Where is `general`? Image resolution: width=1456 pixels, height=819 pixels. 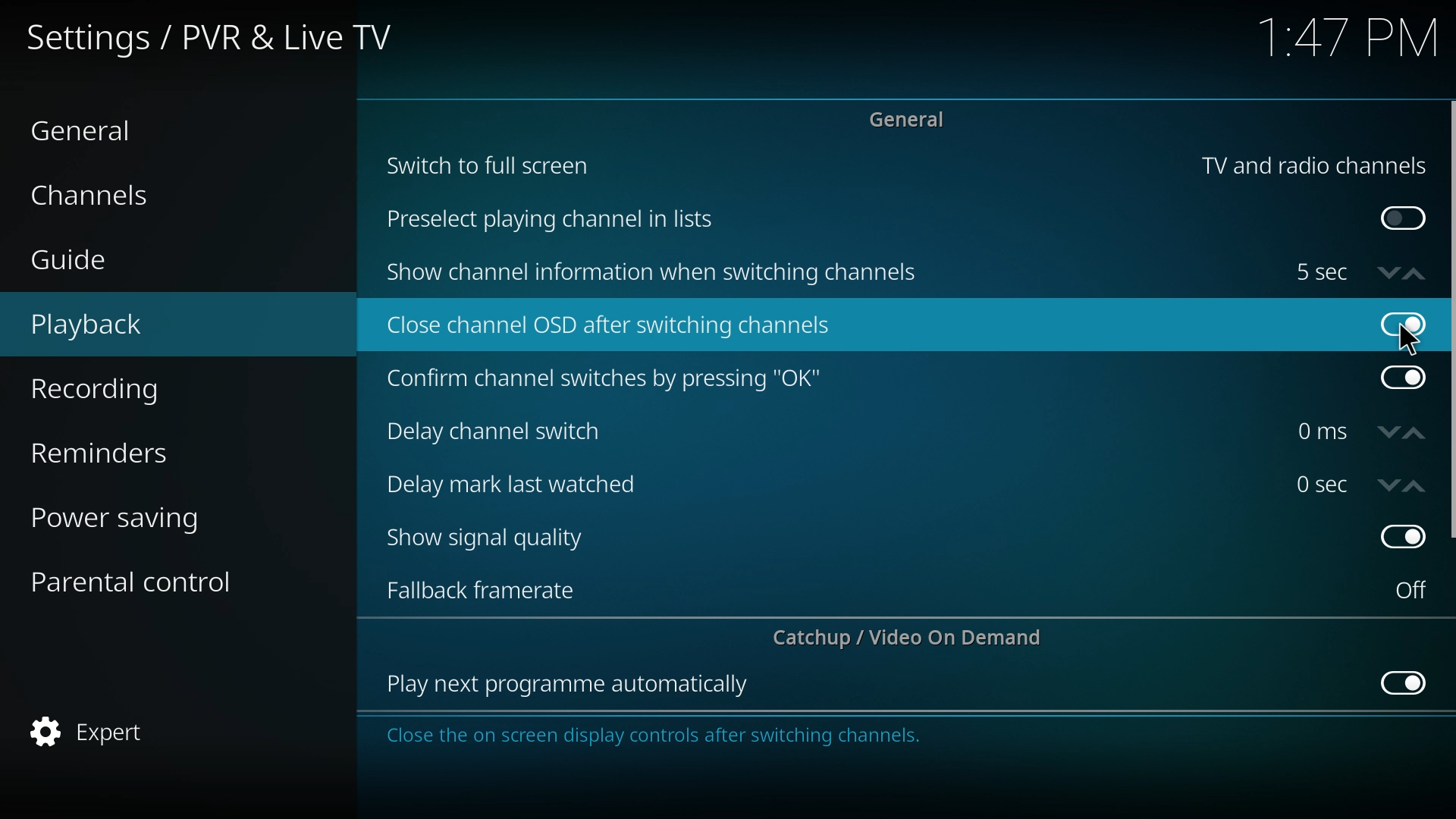
general is located at coordinates (107, 129).